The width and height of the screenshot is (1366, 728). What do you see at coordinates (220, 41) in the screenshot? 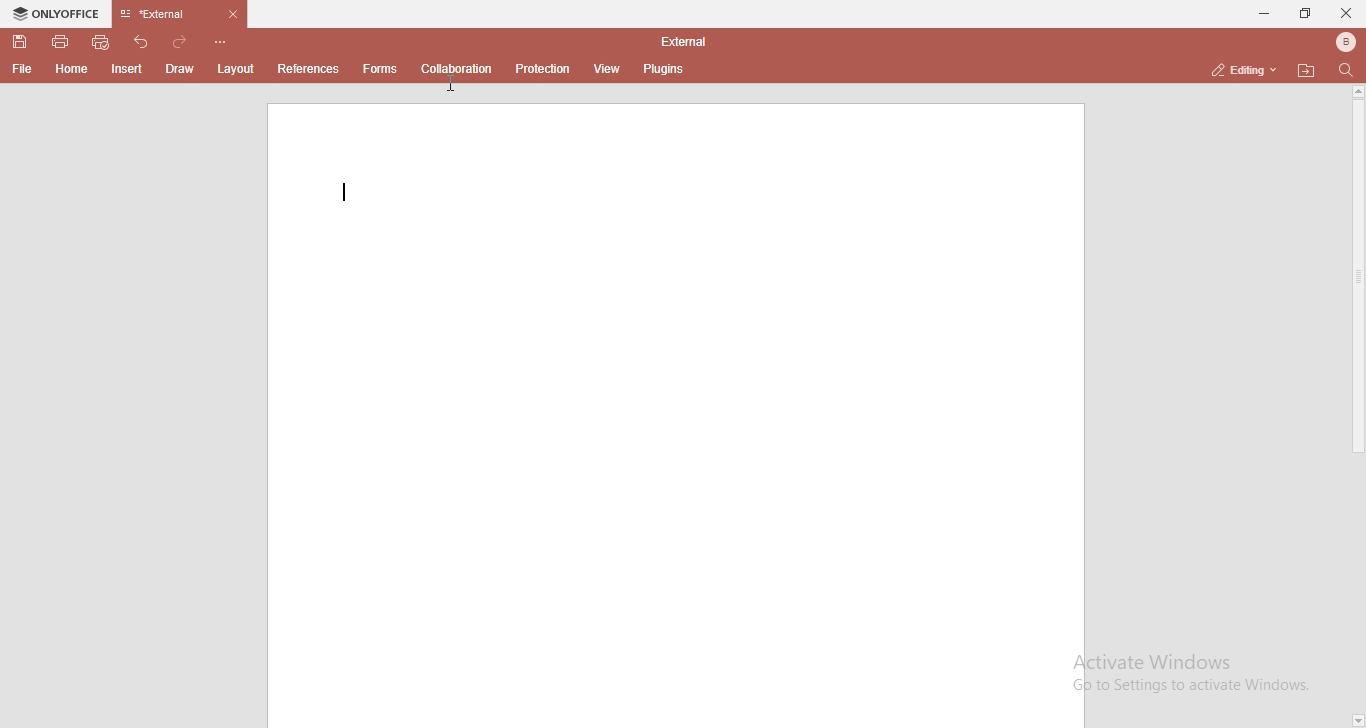
I see `customise quick access toolbar` at bounding box center [220, 41].